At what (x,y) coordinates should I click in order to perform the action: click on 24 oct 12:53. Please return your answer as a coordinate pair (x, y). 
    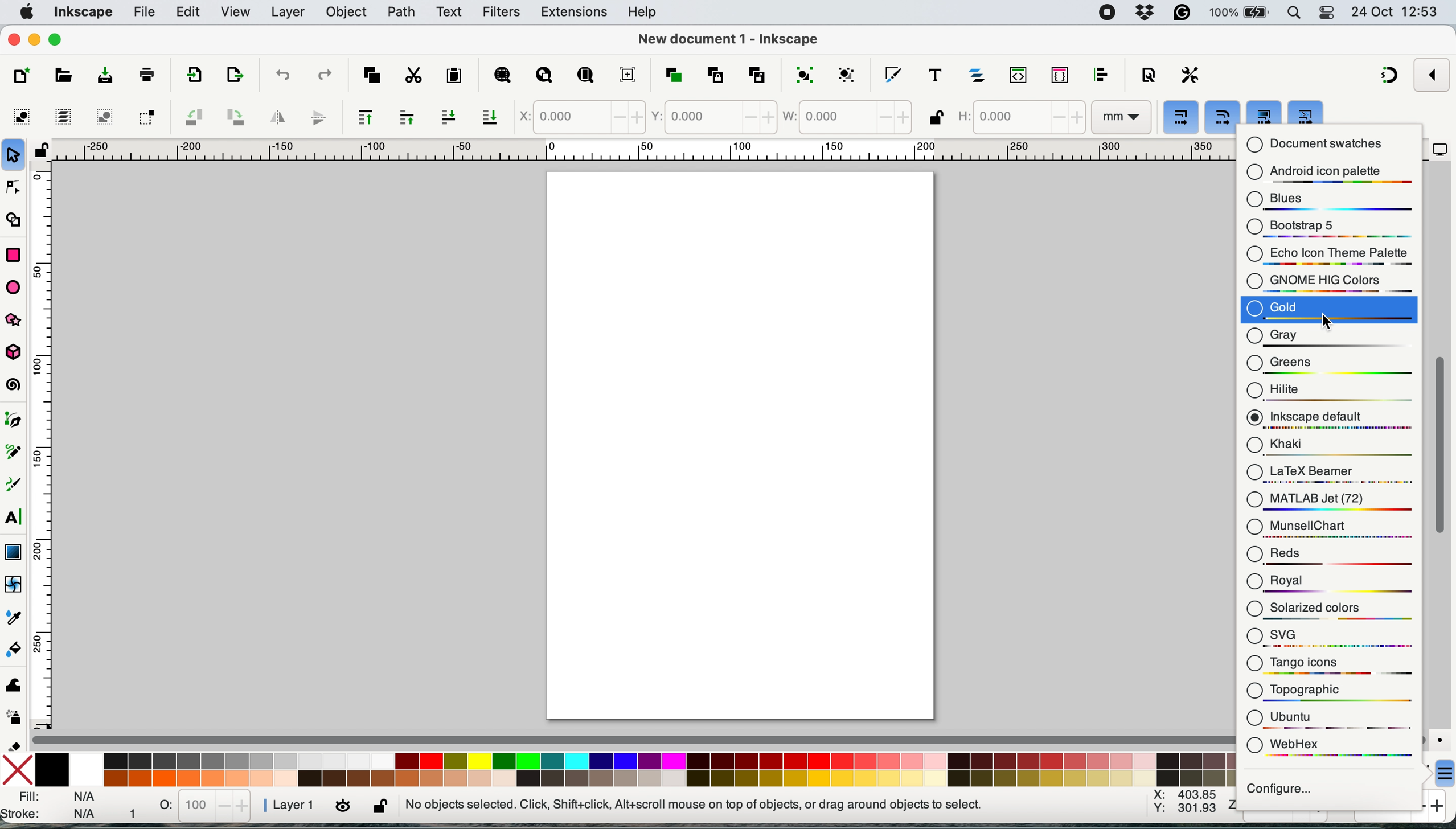
    Looking at the image, I should click on (1396, 14).